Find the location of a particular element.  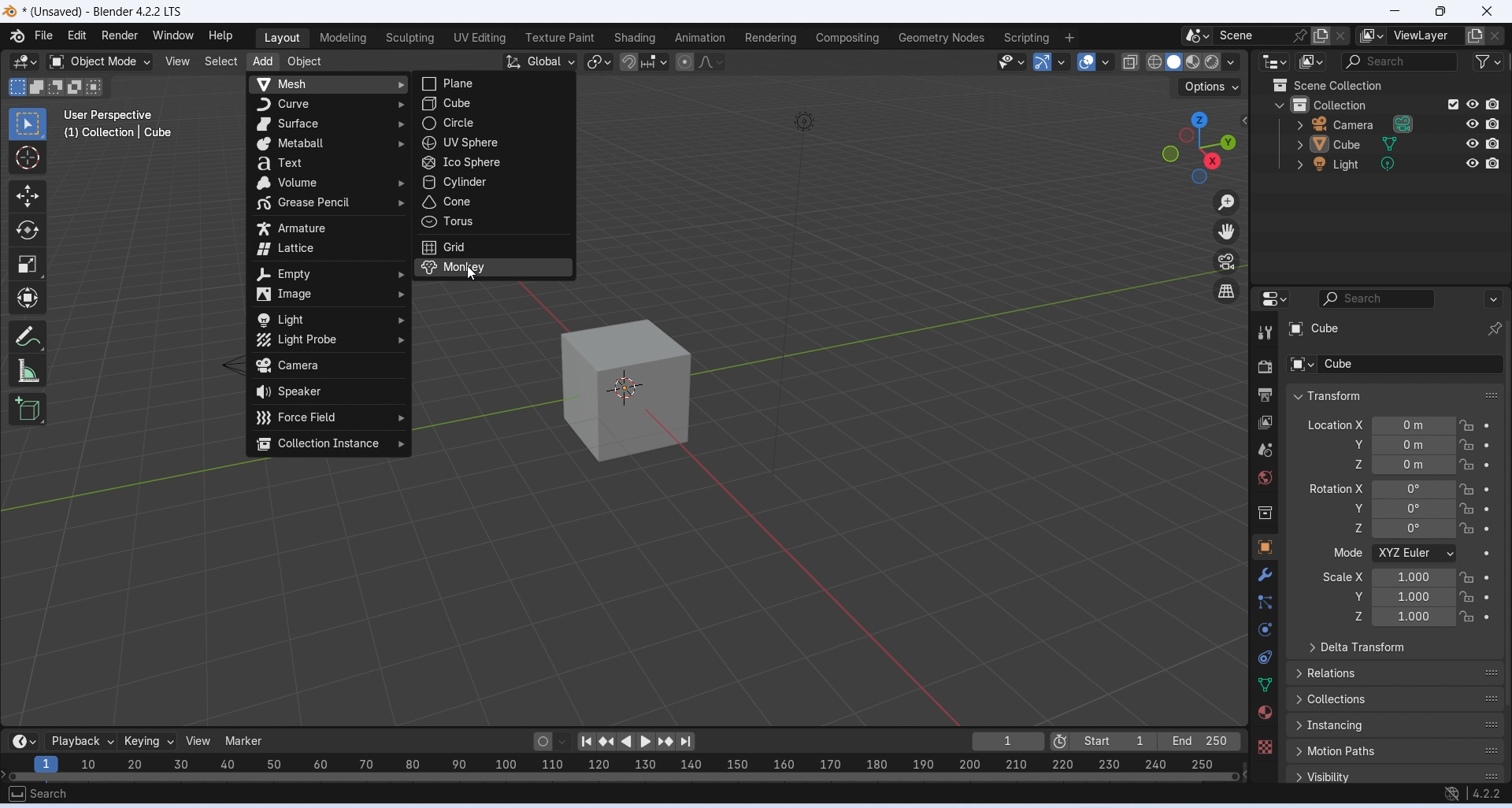

rendered viewport shading is located at coordinates (1211, 62).